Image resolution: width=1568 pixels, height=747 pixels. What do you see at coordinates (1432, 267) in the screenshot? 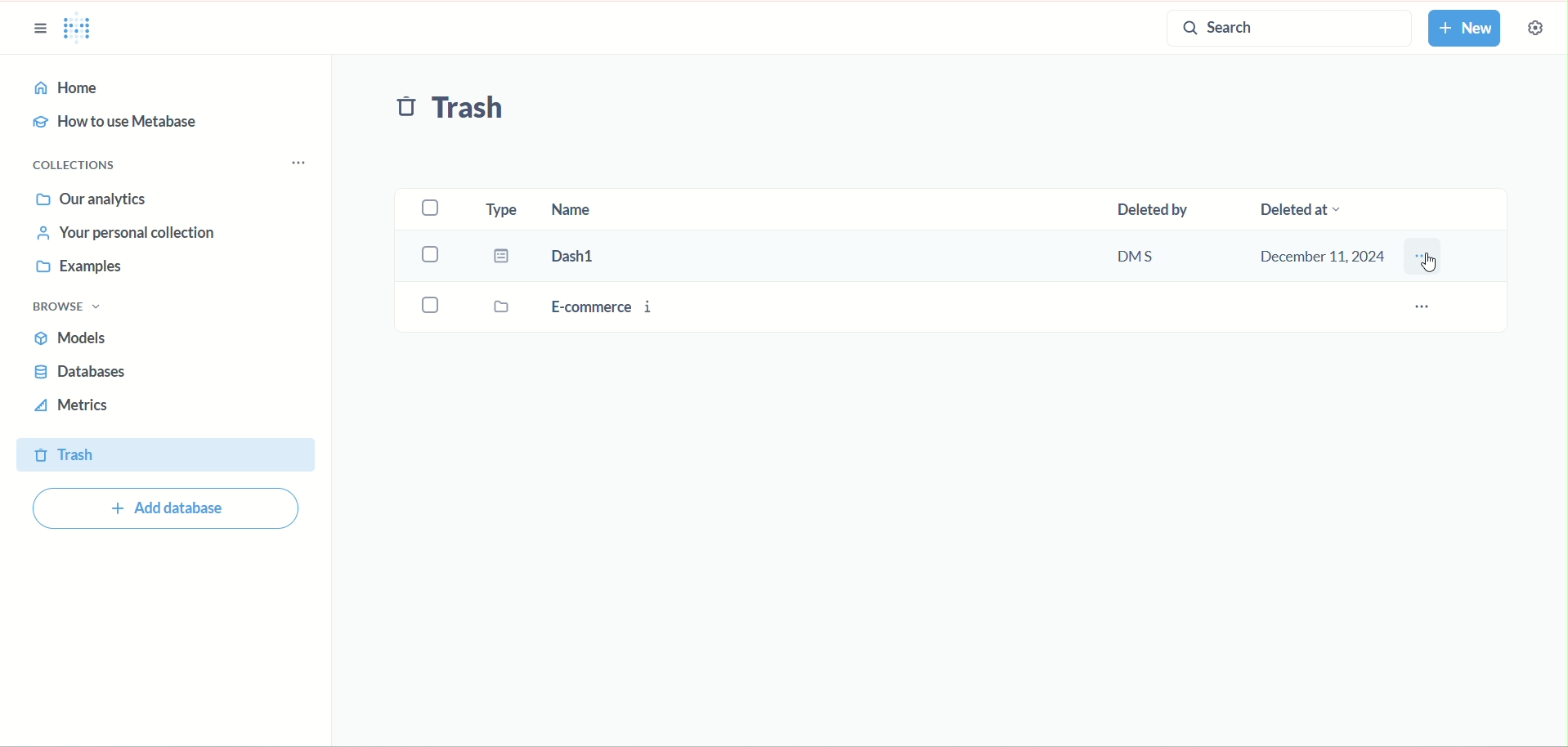
I see `cursor ` at bounding box center [1432, 267].